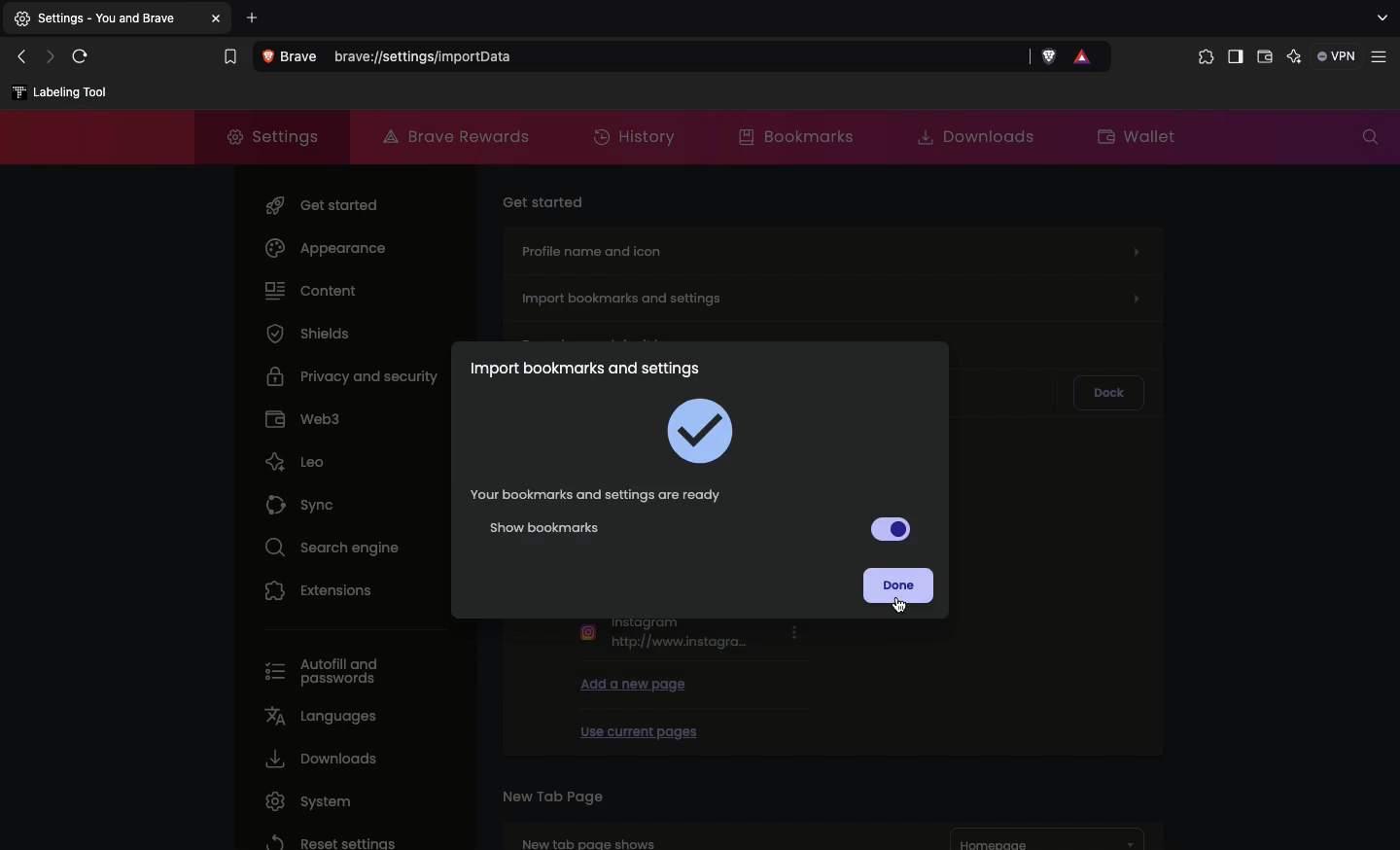  What do you see at coordinates (320, 589) in the screenshot?
I see `Extensions` at bounding box center [320, 589].